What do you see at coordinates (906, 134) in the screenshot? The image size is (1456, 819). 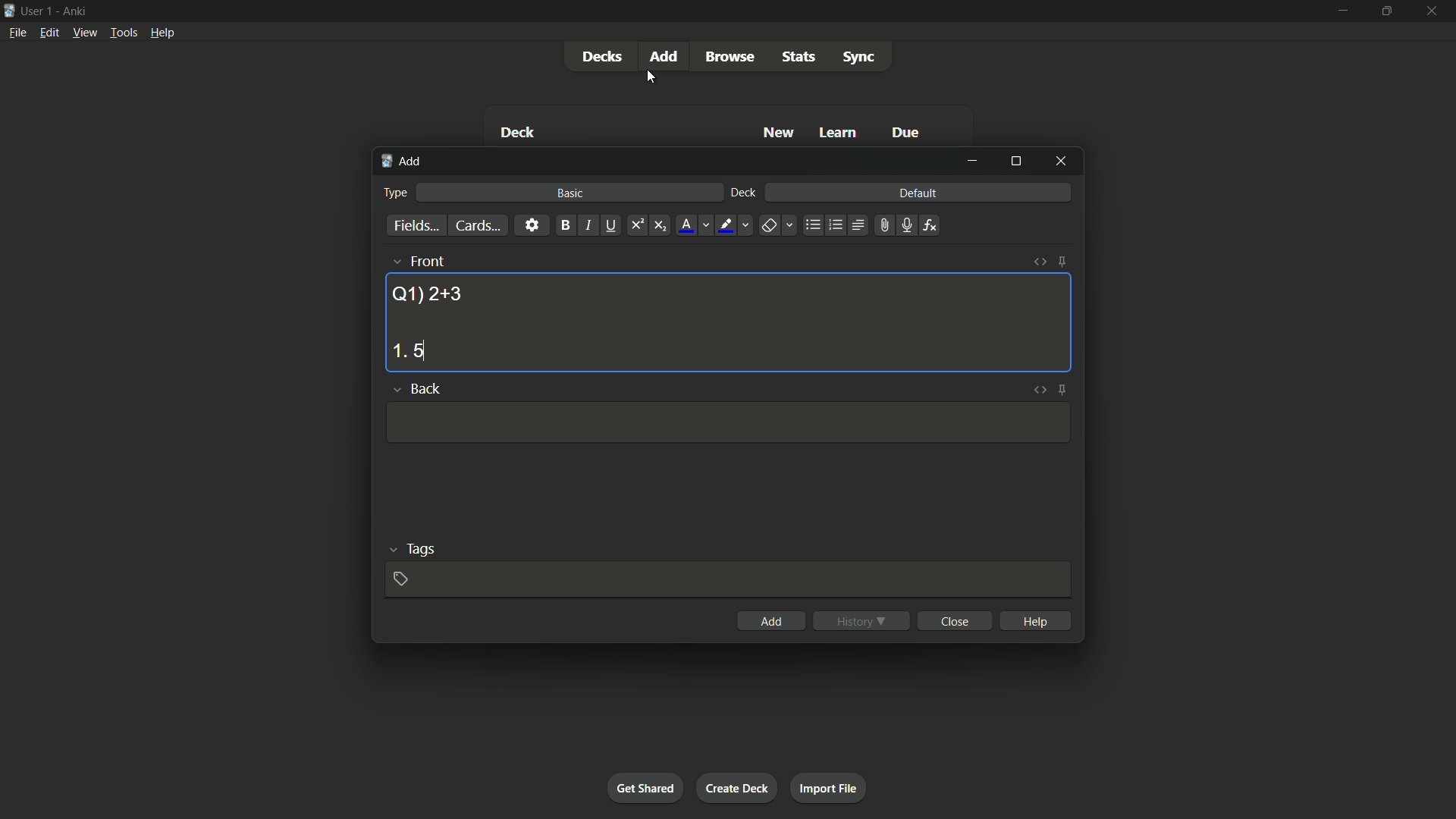 I see `due` at bounding box center [906, 134].